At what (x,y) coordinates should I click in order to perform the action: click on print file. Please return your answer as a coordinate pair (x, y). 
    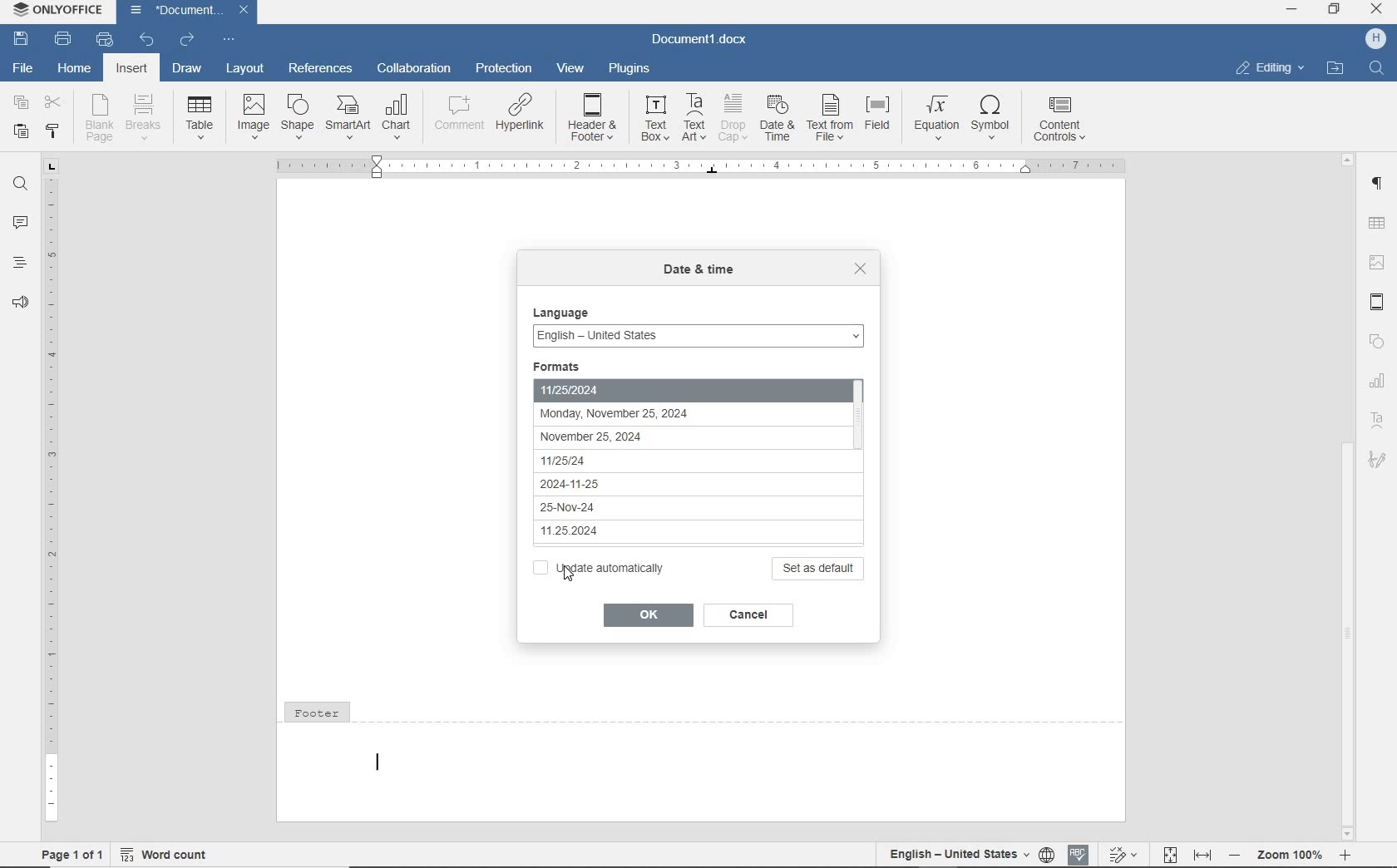
    Looking at the image, I should click on (65, 38).